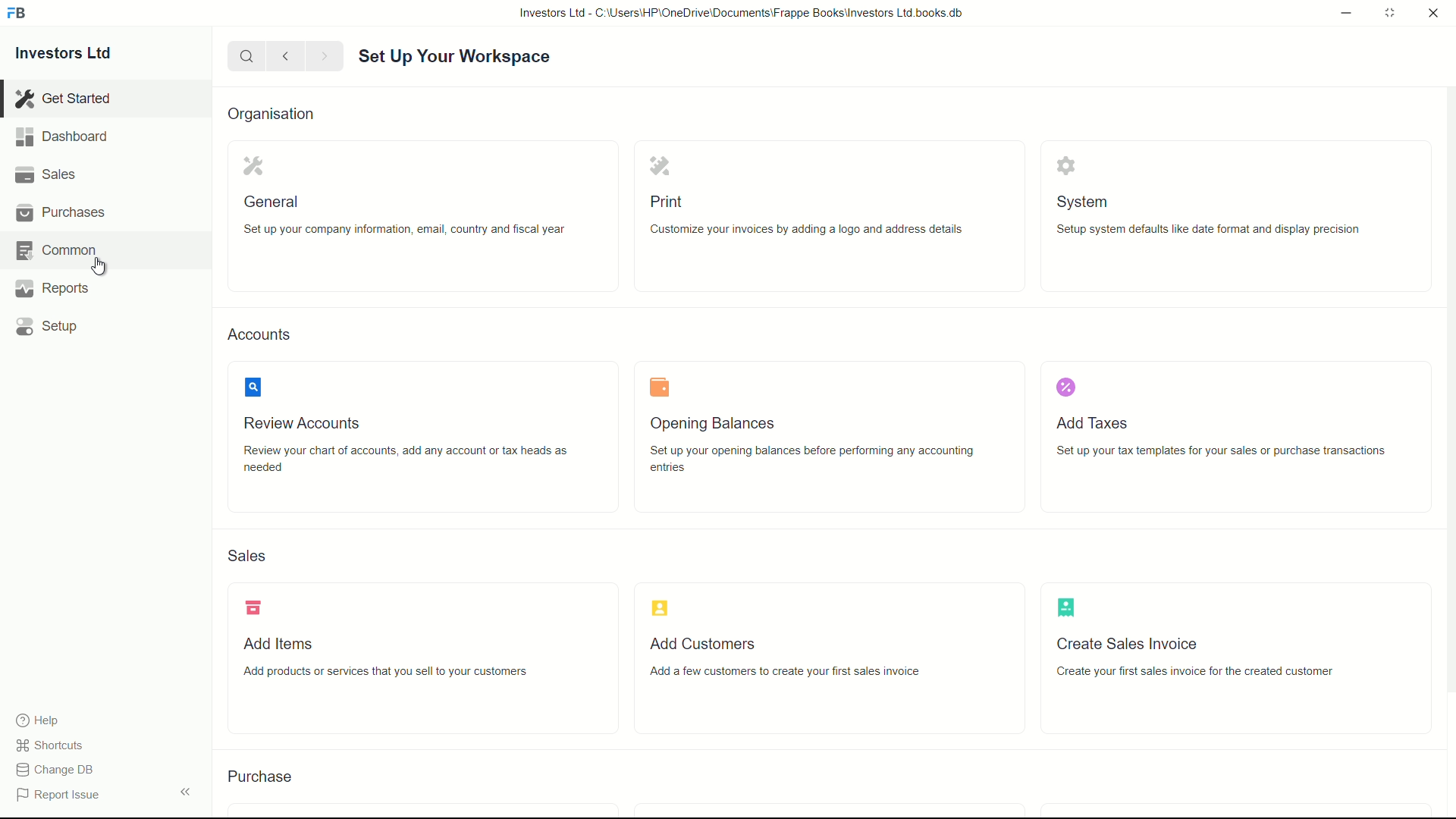 This screenshot has width=1456, height=819. Describe the element at coordinates (719, 422) in the screenshot. I see `Opening Balances` at that location.